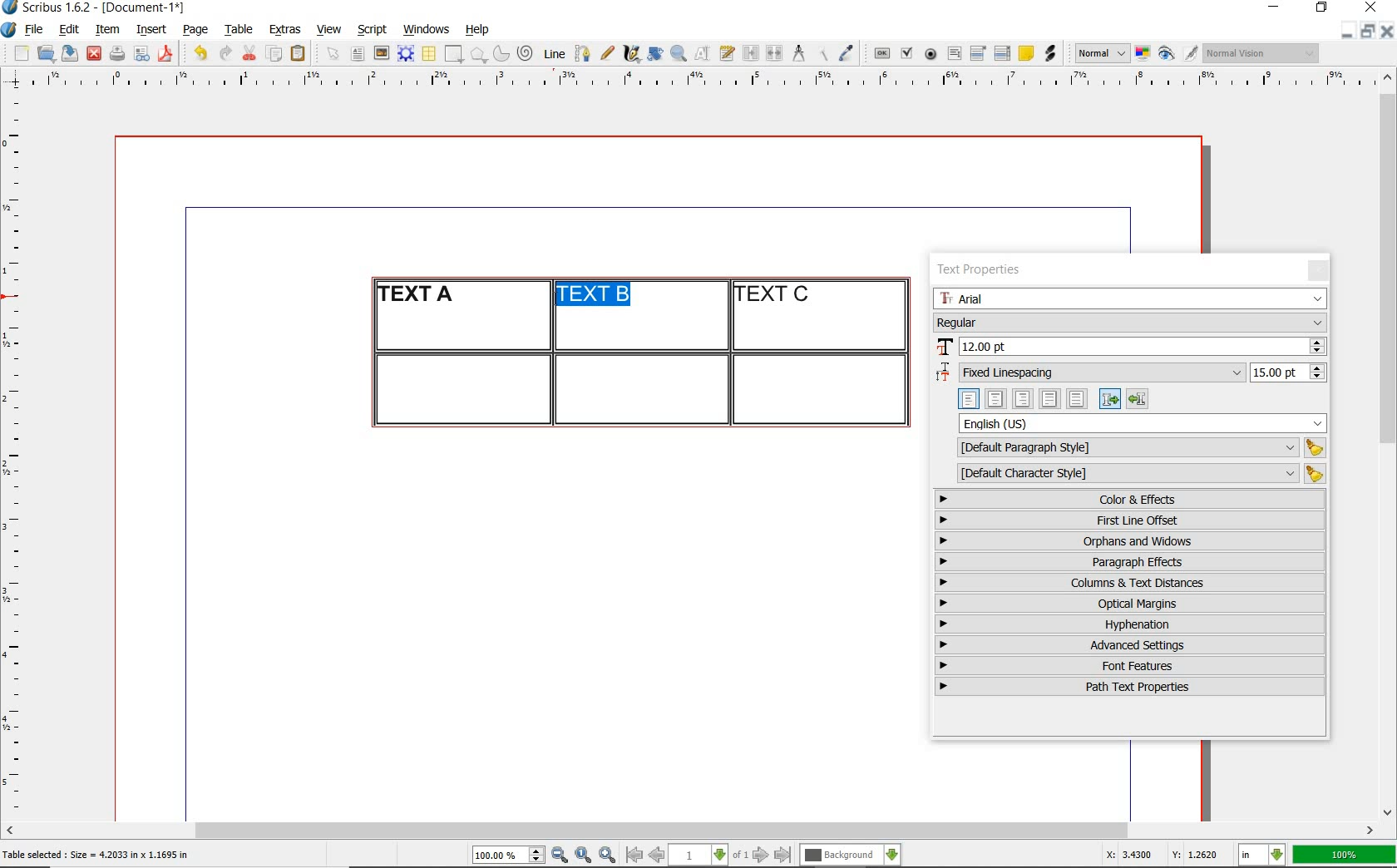  What do you see at coordinates (1345, 855) in the screenshot?
I see `100%` at bounding box center [1345, 855].